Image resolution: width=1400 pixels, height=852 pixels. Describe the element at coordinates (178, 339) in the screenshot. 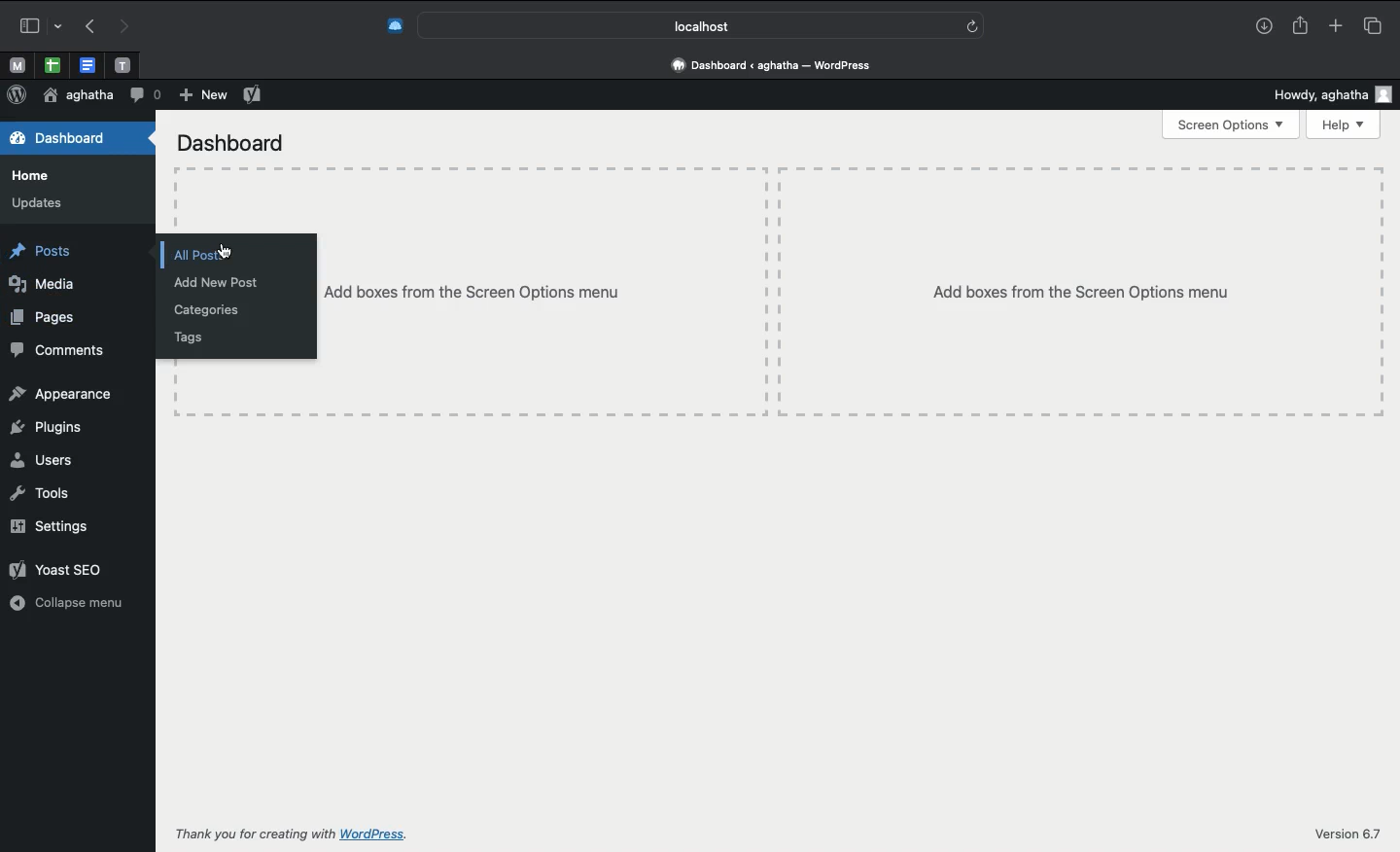

I see `Tags` at that location.